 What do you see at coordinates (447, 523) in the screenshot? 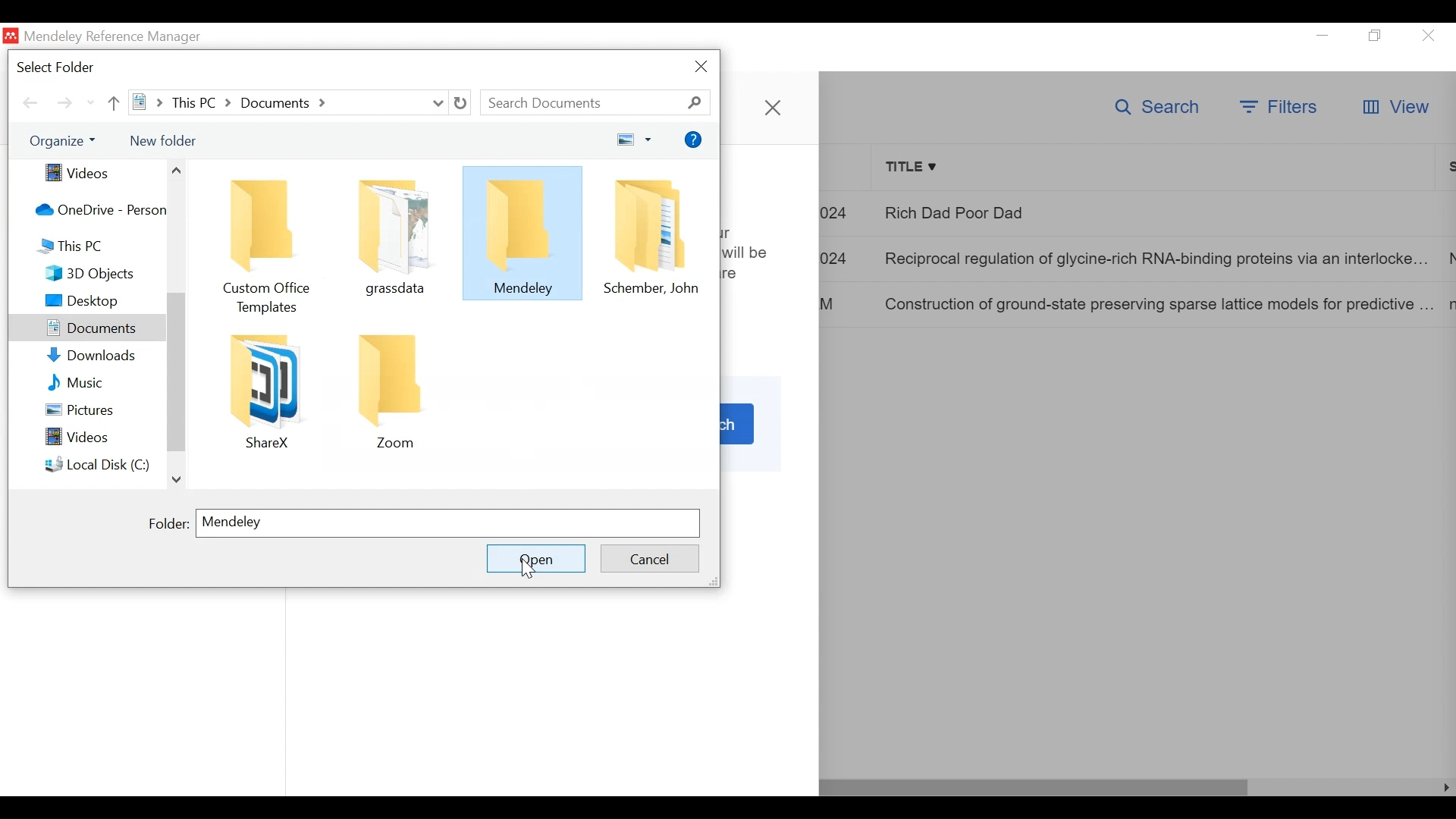
I see `Folder Field` at bounding box center [447, 523].